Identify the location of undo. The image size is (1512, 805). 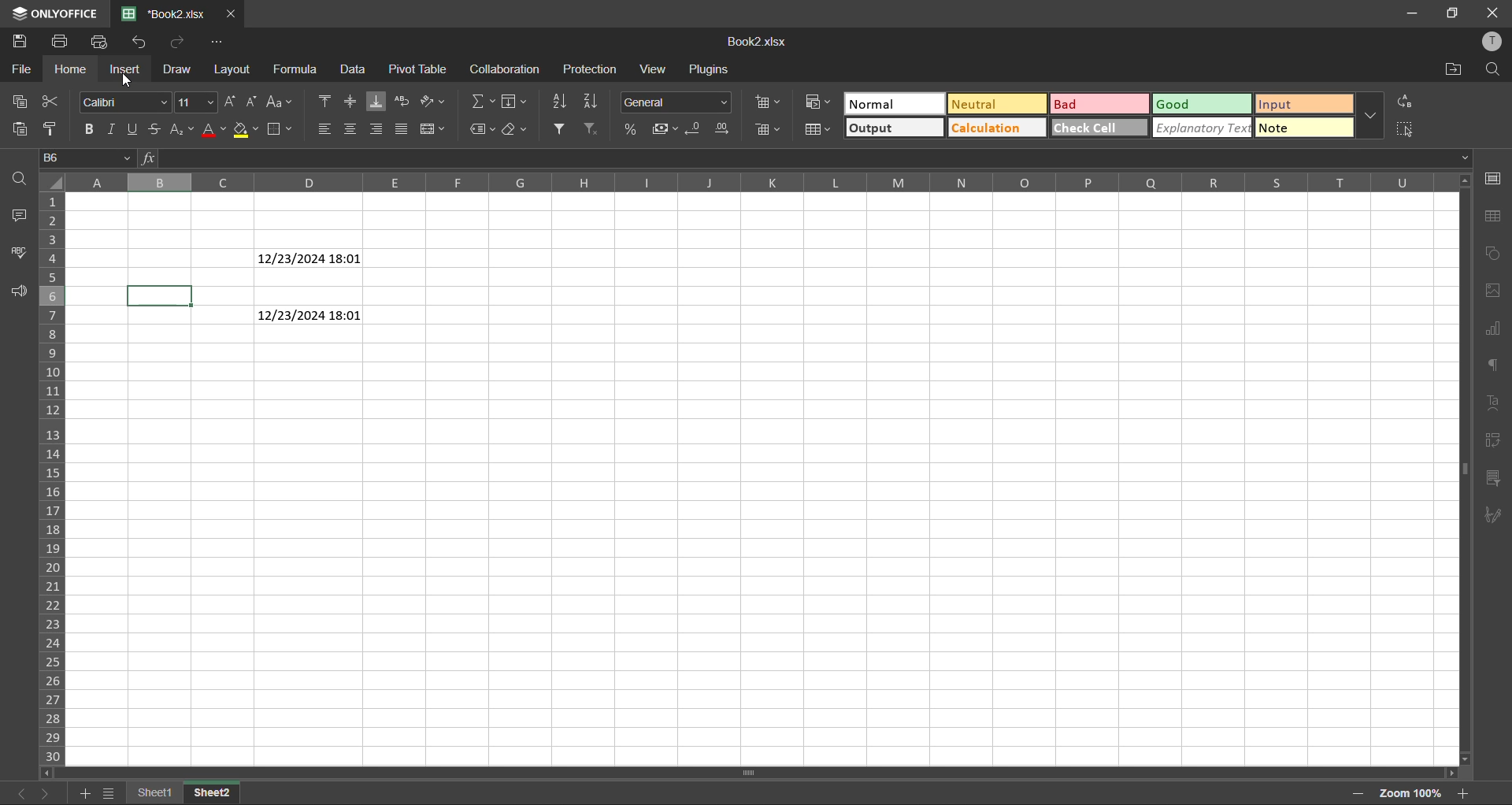
(177, 43).